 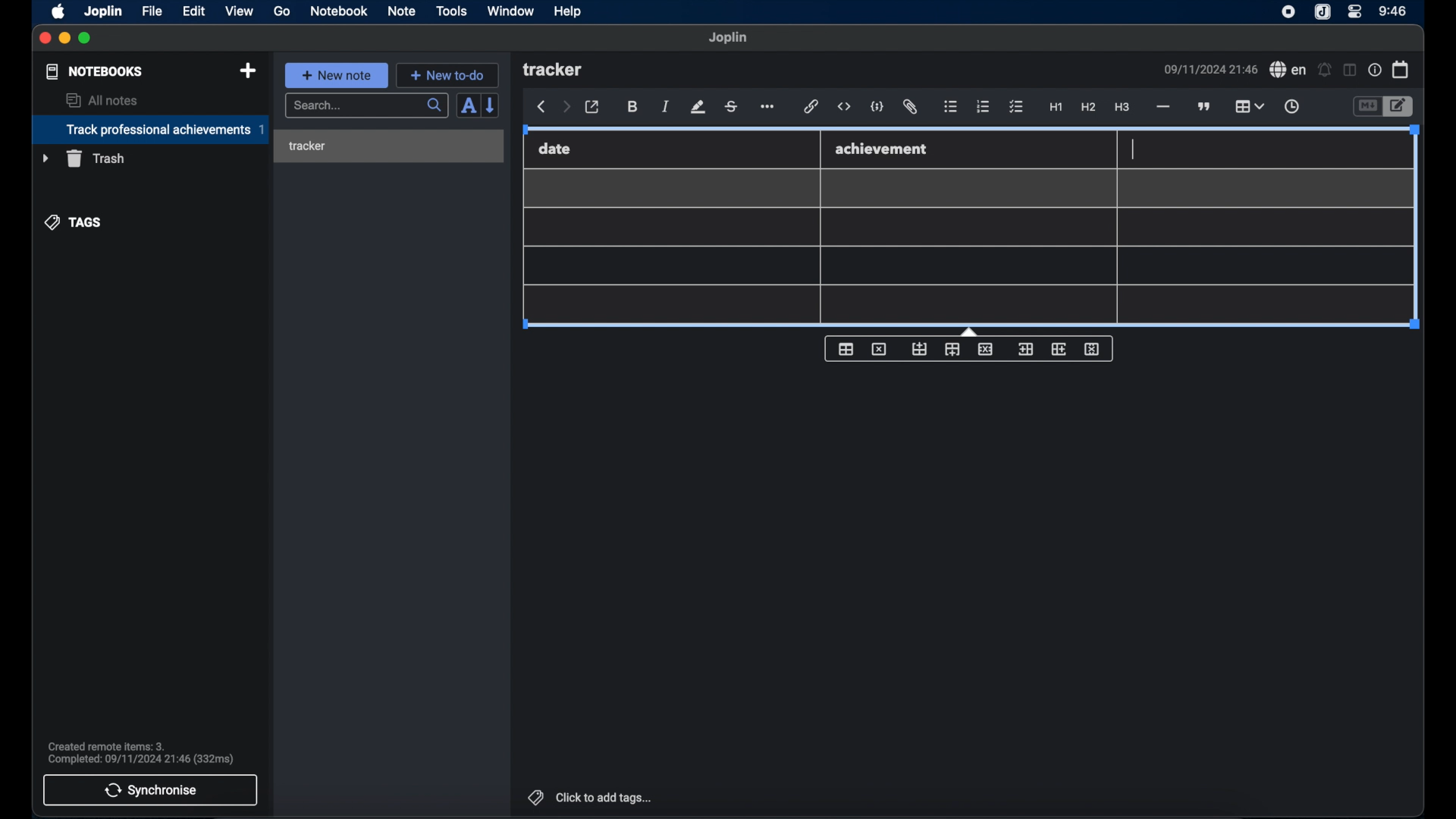 I want to click on numbered list, so click(x=984, y=106).